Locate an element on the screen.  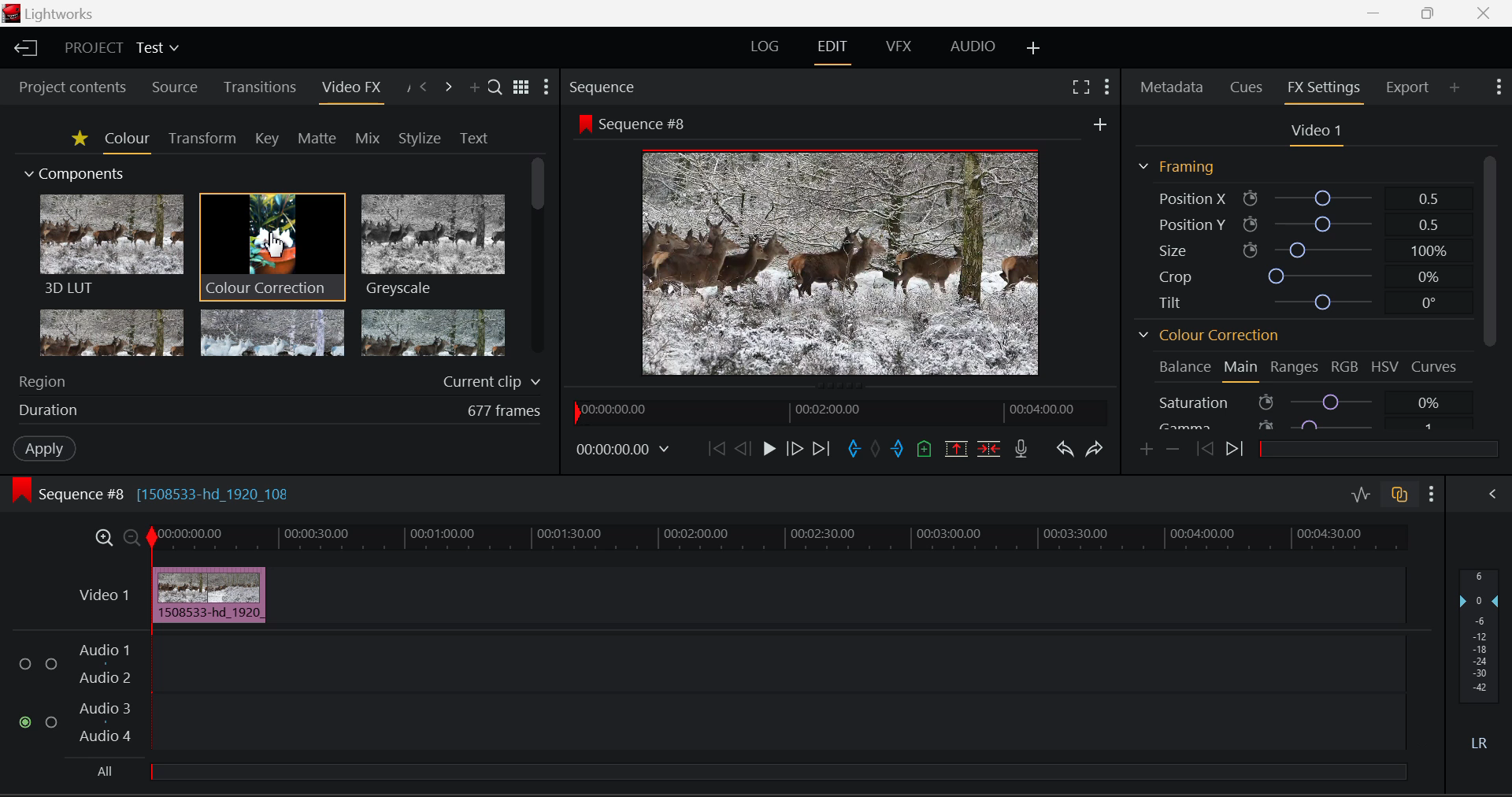
Glow is located at coordinates (113, 332).